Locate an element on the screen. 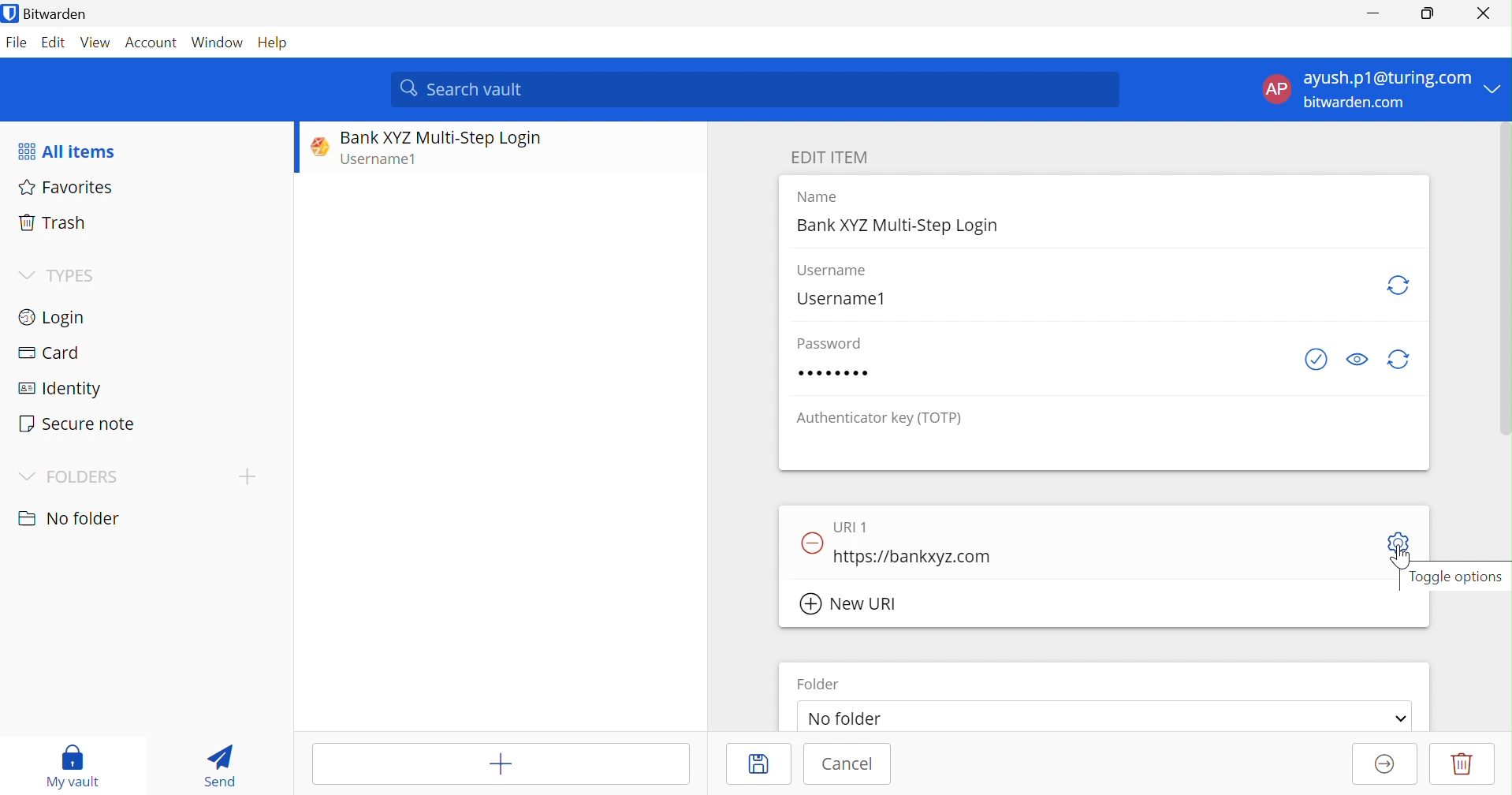 This screenshot has height=795, width=1512. View is located at coordinates (96, 43).